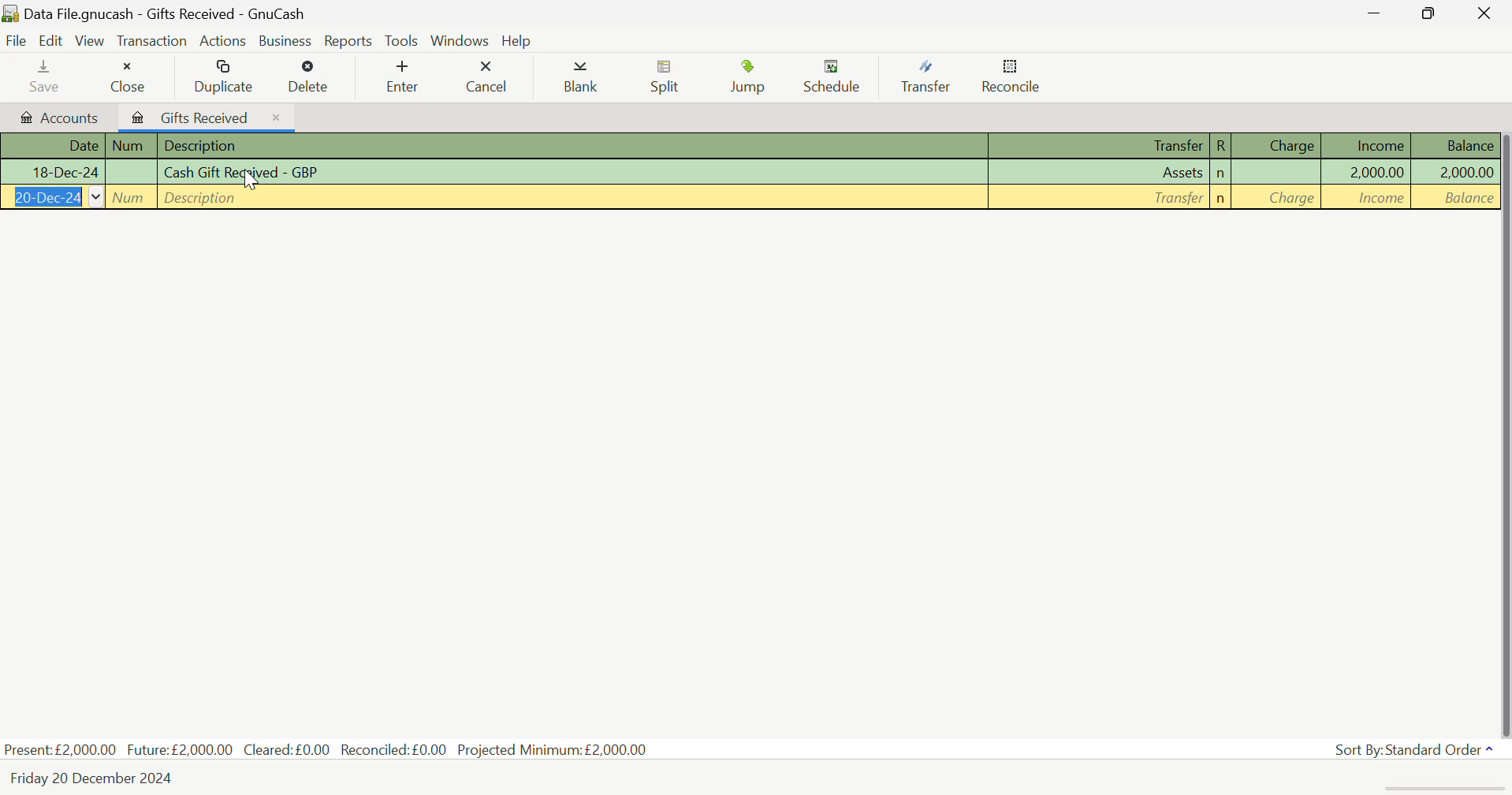 The width and height of the screenshot is (1512, 795). I want to click on Duplicate, so click(225, 76).